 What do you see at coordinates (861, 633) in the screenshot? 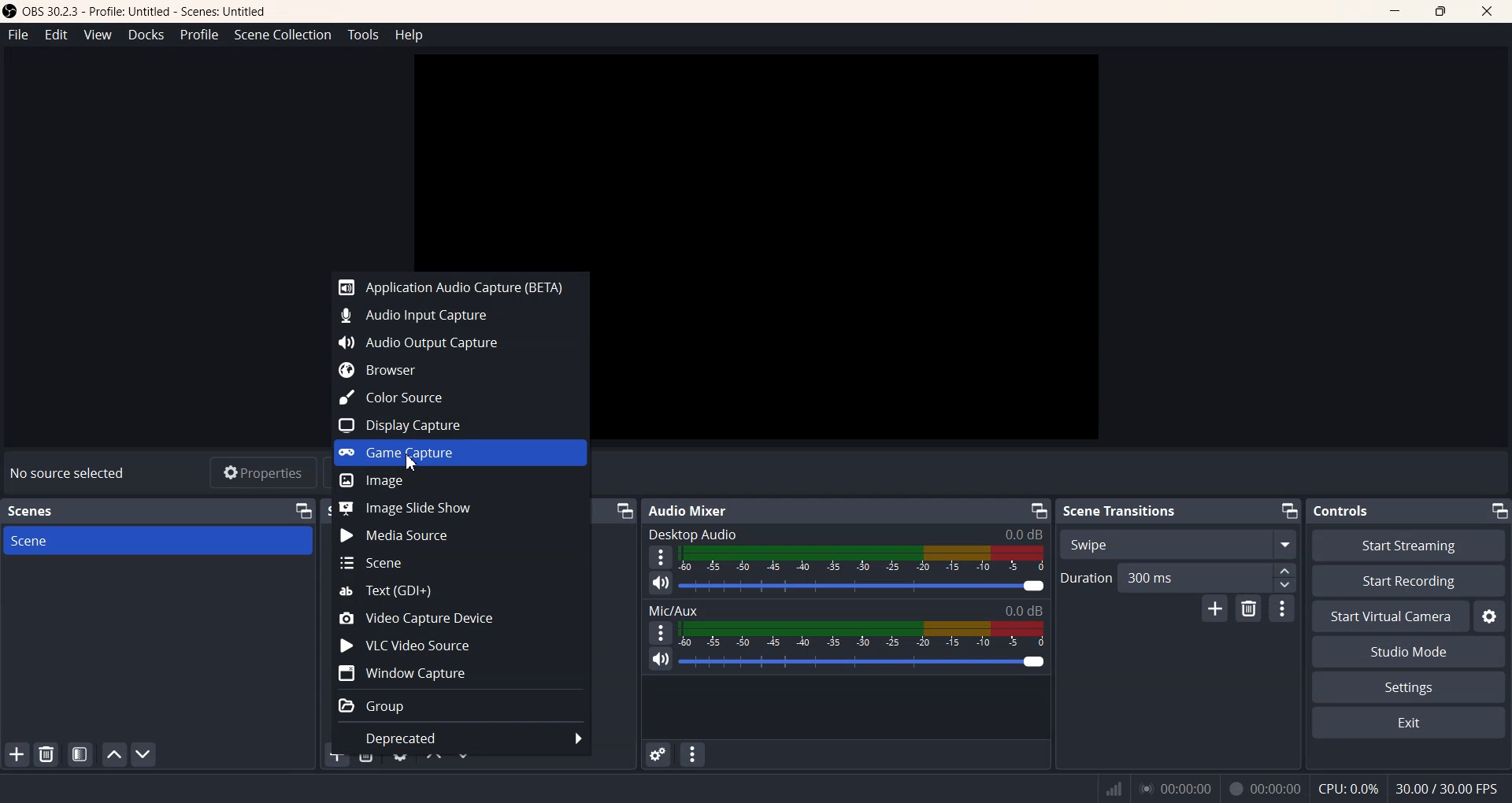
I see `Volume Indicator` at bounding box center [861, 633].